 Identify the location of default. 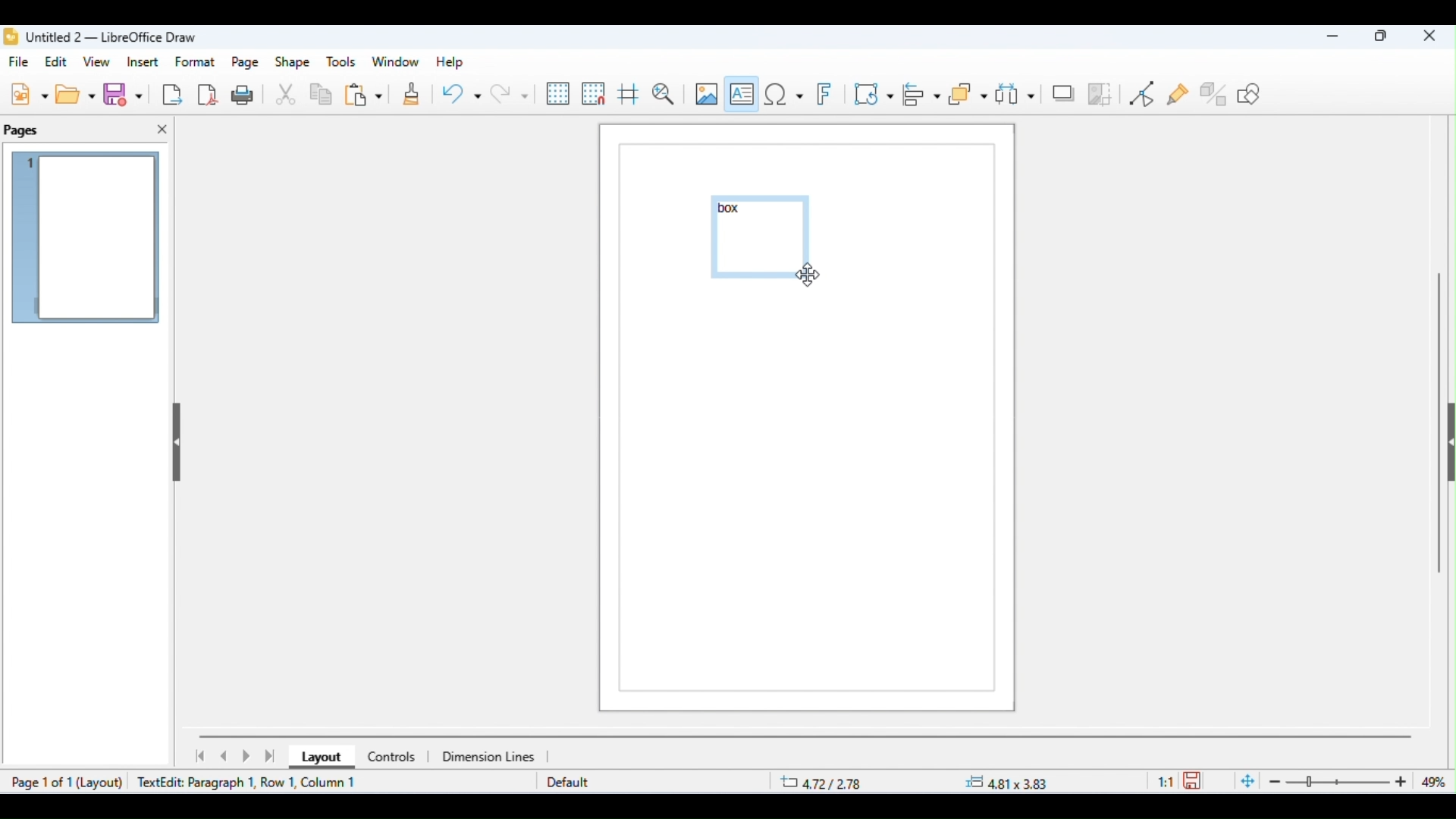
(568, 783).